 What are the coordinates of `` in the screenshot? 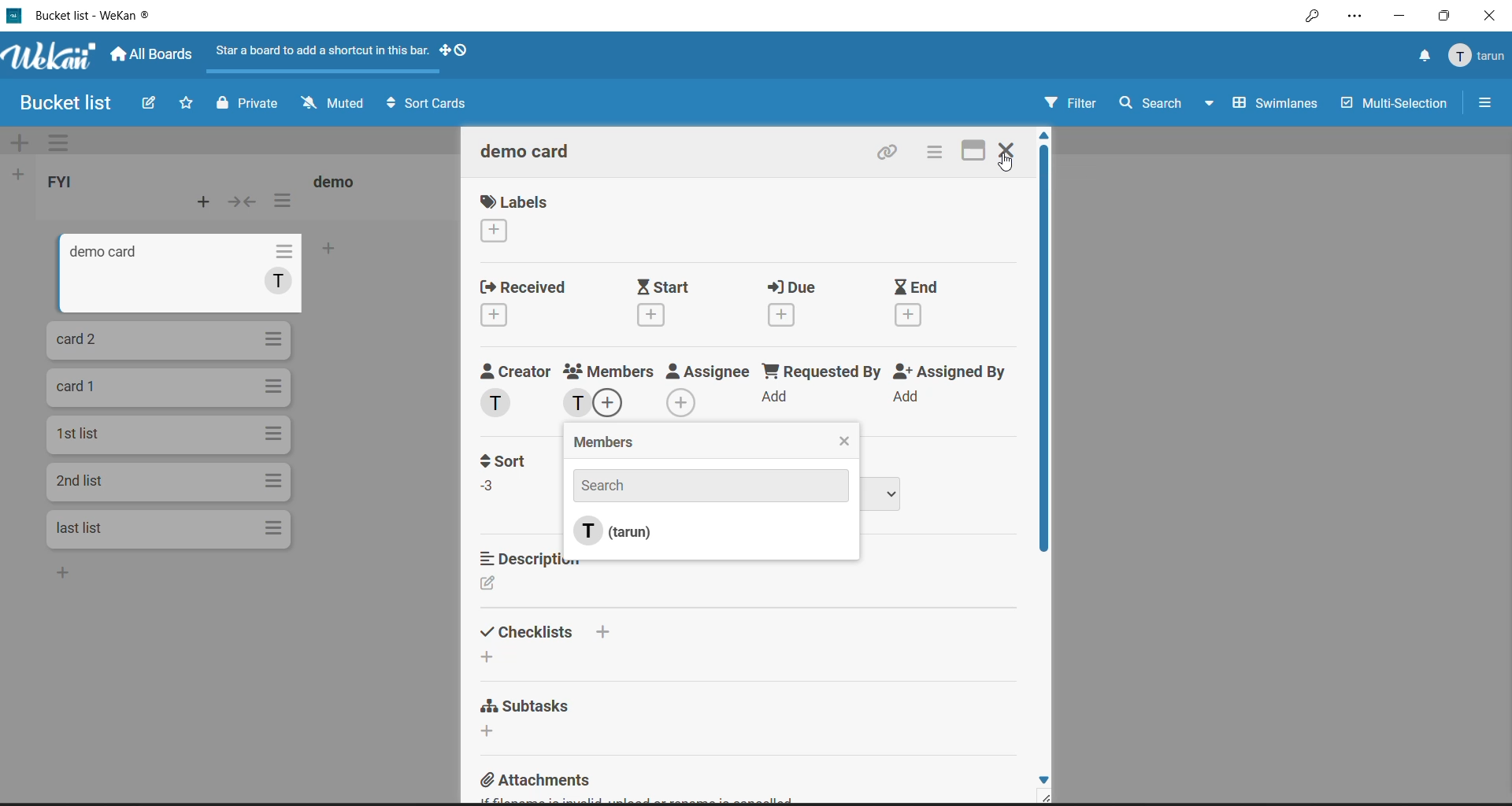 It's located at (799, 287).